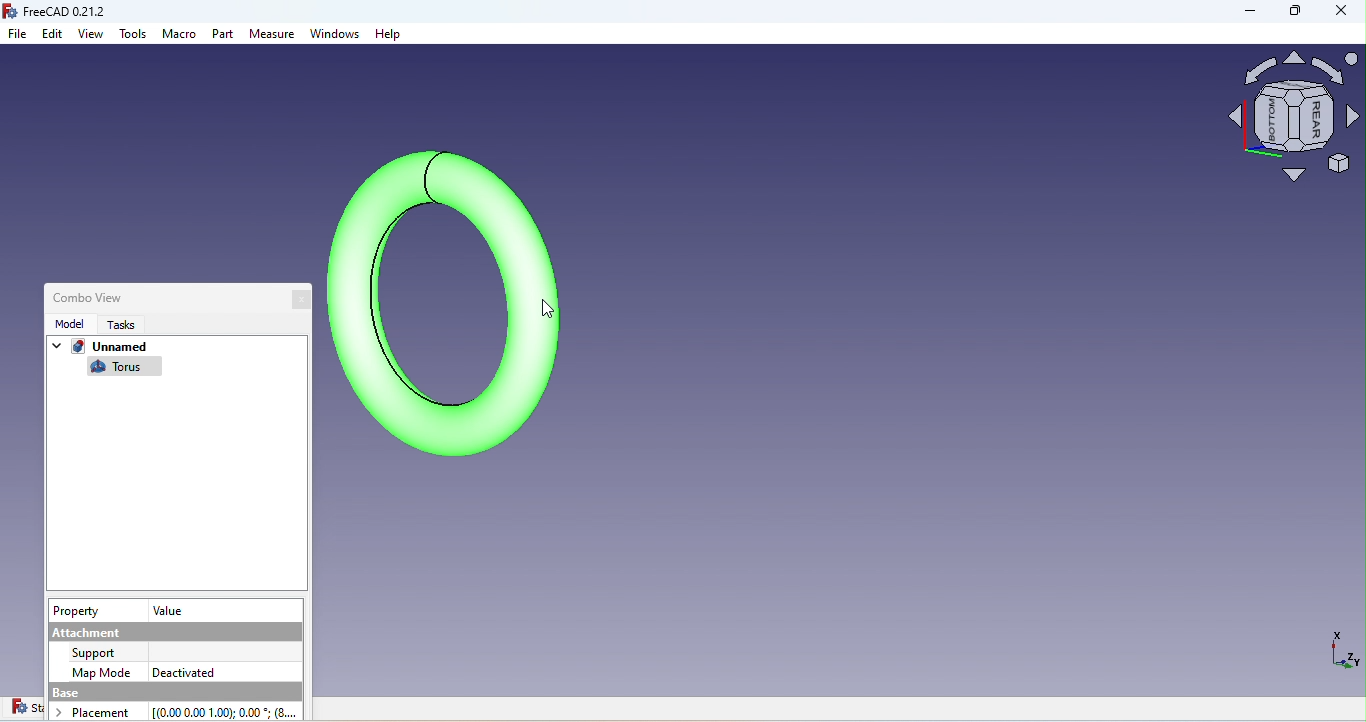  What do you see at coordinates (83, 296) in the screenshot?
I see `Combo view` at bounding box center [83, 296].